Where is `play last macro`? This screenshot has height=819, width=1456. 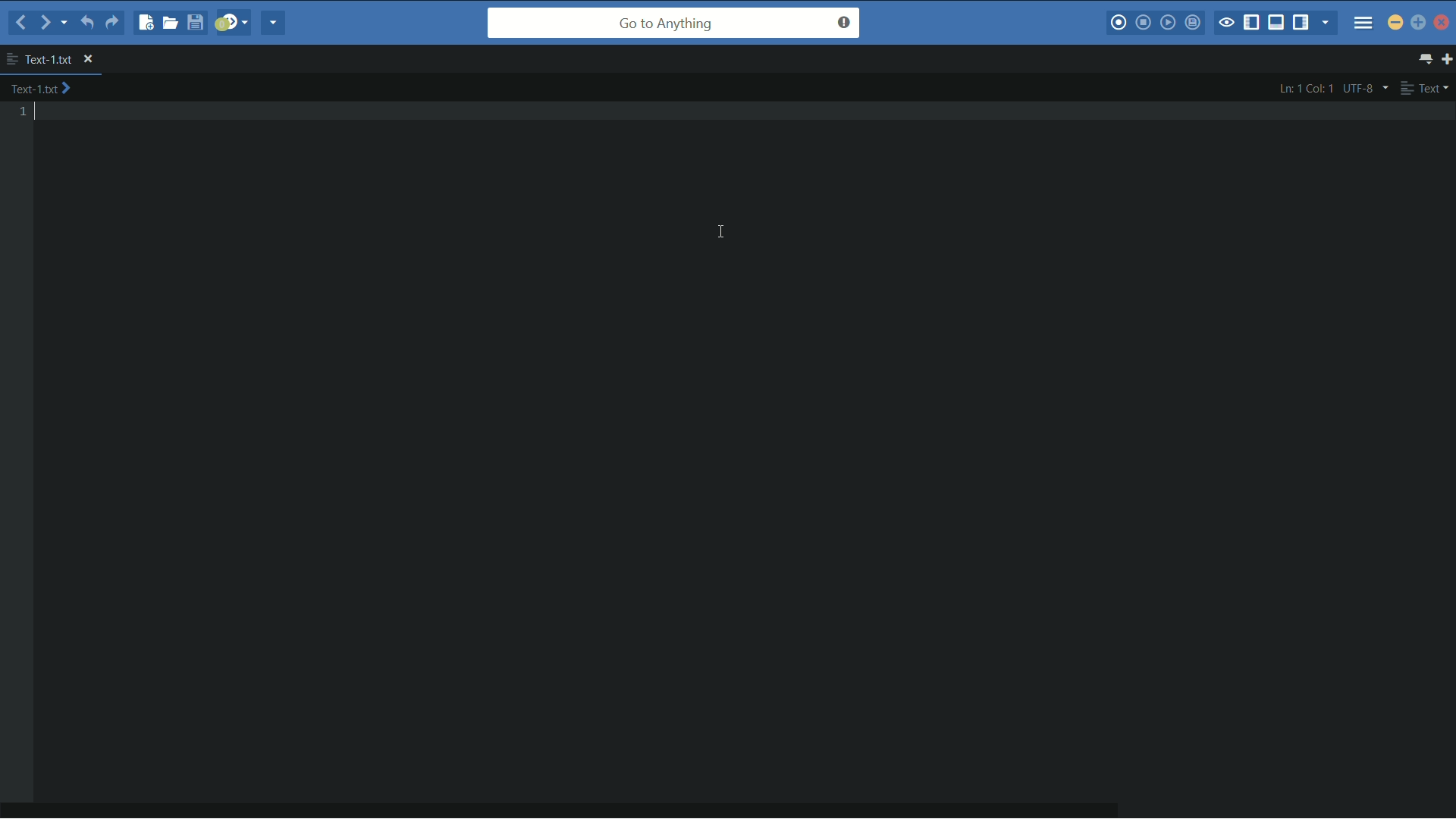 play last macro is located at coordinates (1167, 23).